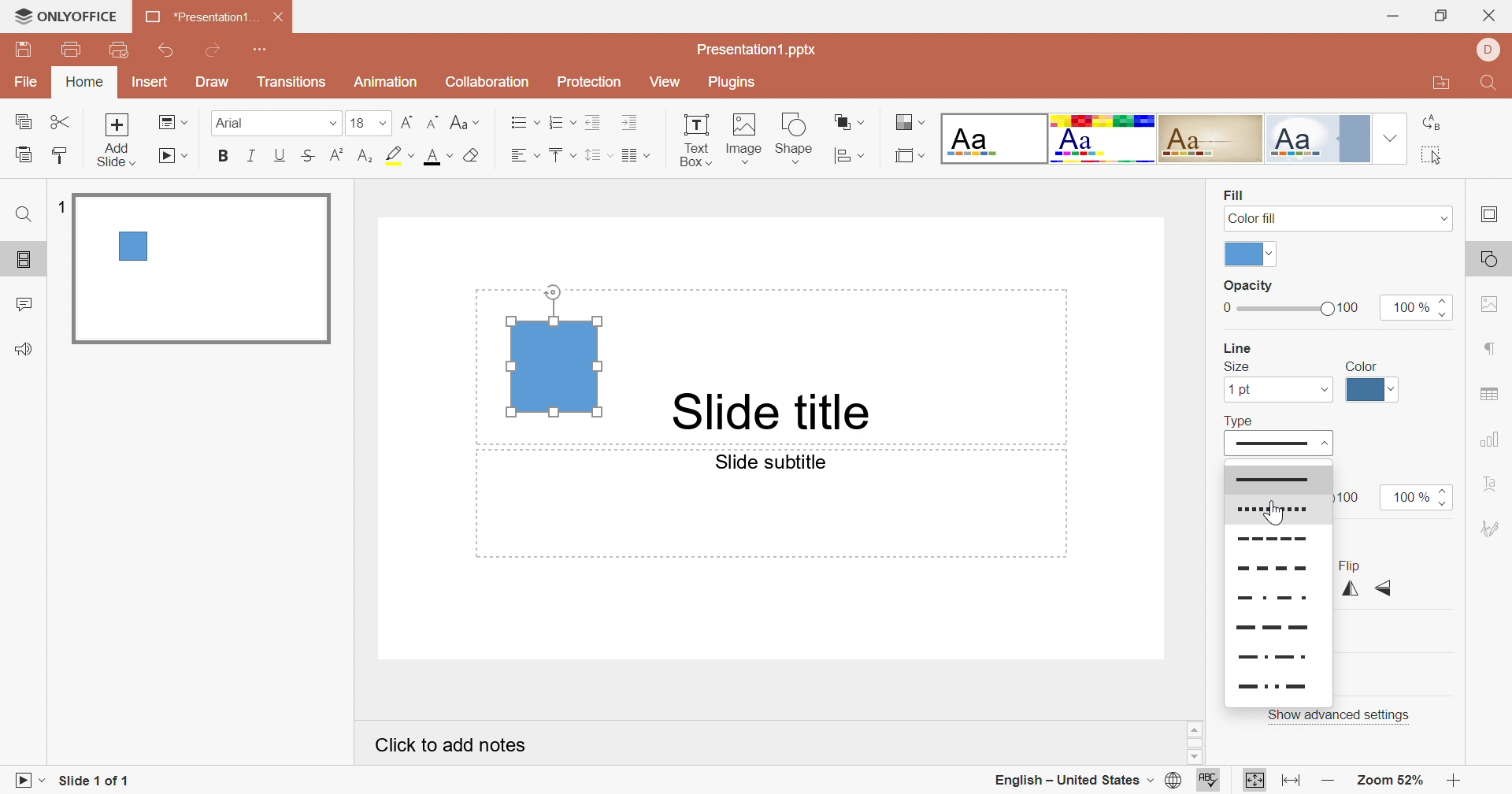 This screenshot has width=1512, height=794. What do you see at coordinates (1191, 744) in the screenshot?
I see `Scrollbar` at bounding box center [1191, 744].